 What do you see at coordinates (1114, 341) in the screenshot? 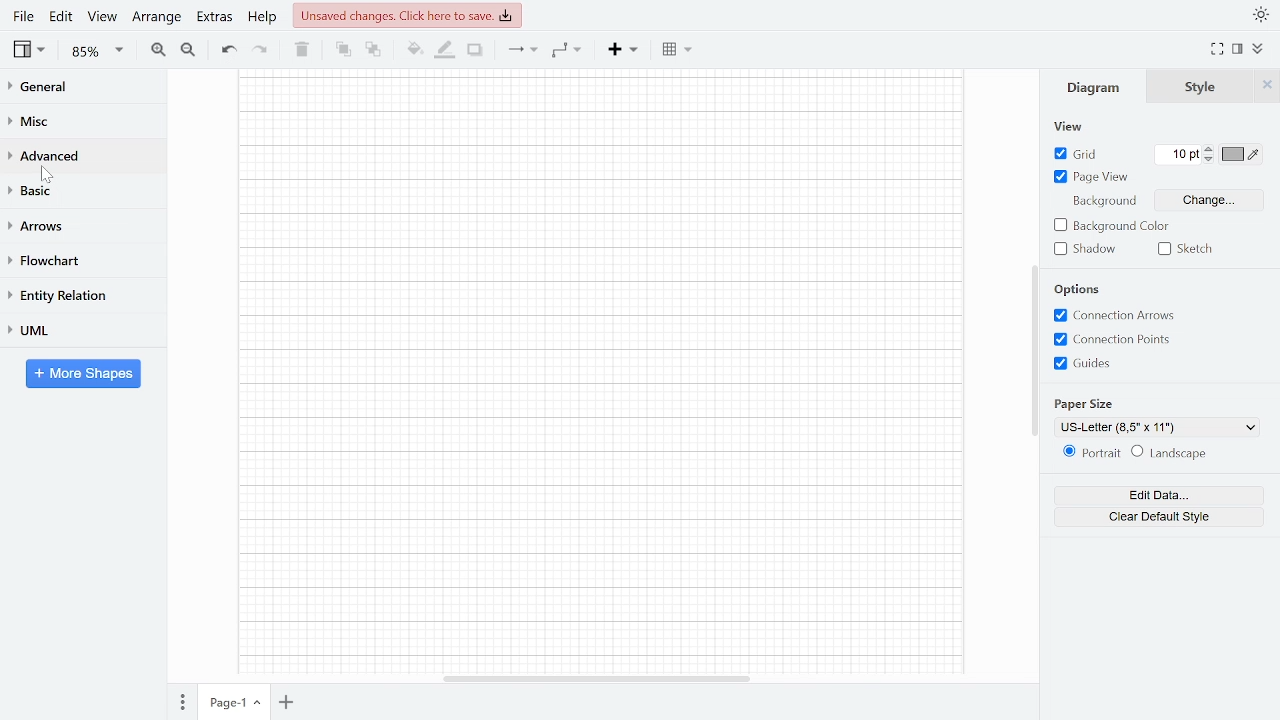
I see `Connection points` at bounding box center [1114, 341].